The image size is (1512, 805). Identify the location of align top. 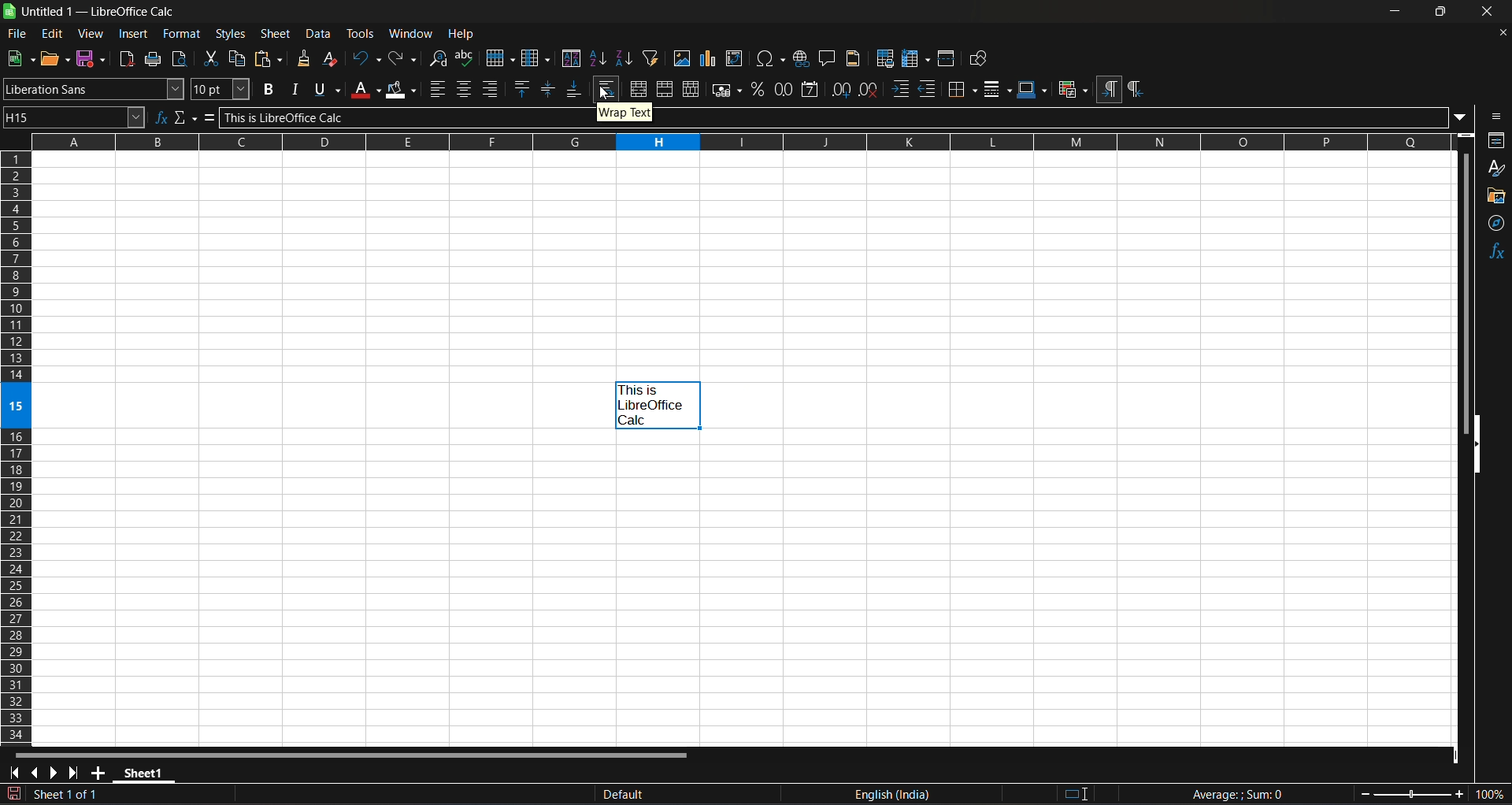
(523, 88).